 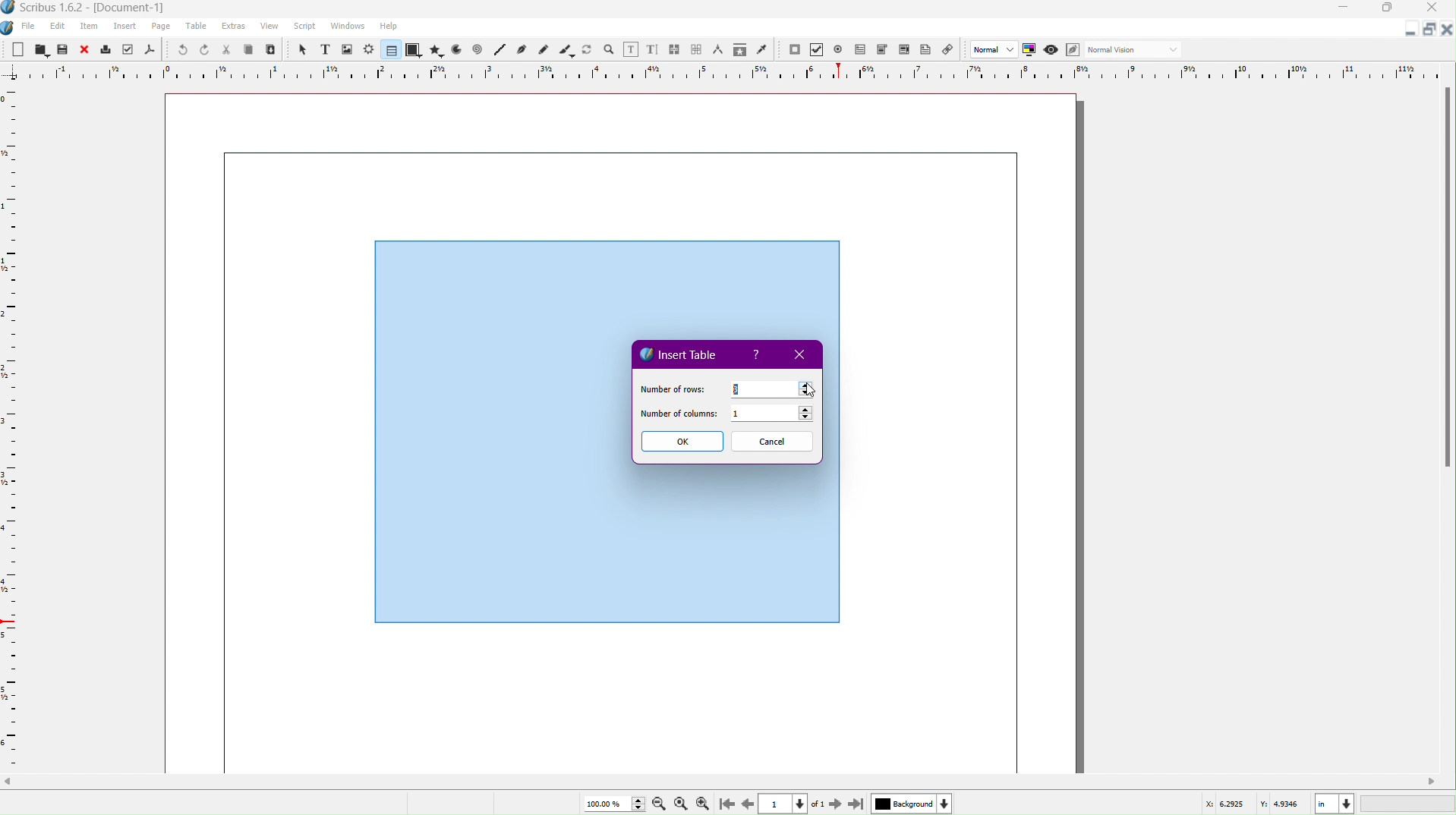 What do you see at coordinates (17, 428) in the screenshot?
I see `Ruler Line` at bounding box center [17, 428].